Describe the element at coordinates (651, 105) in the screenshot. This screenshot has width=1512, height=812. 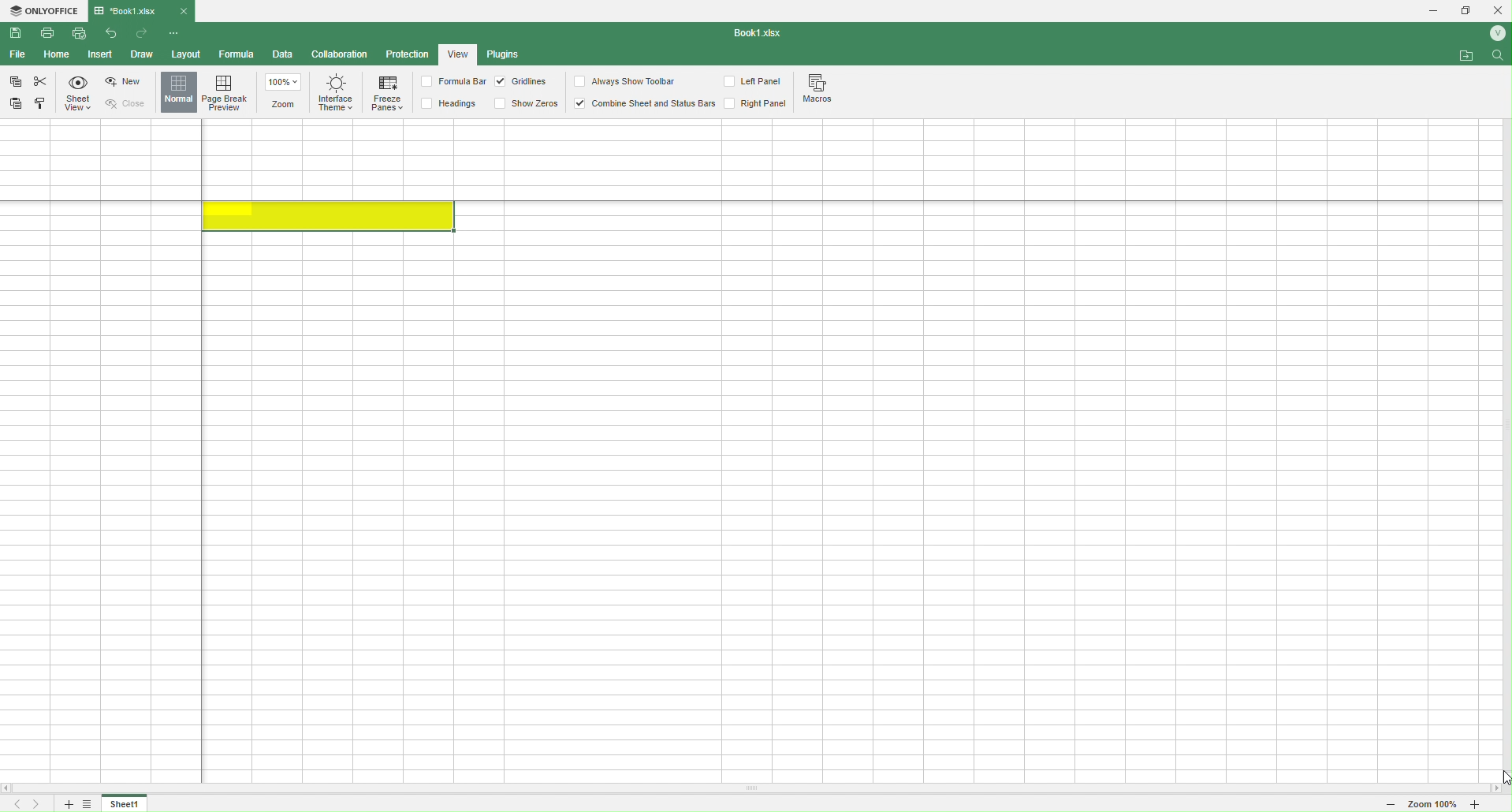
I see `Combine sheet and status bar` at that location.